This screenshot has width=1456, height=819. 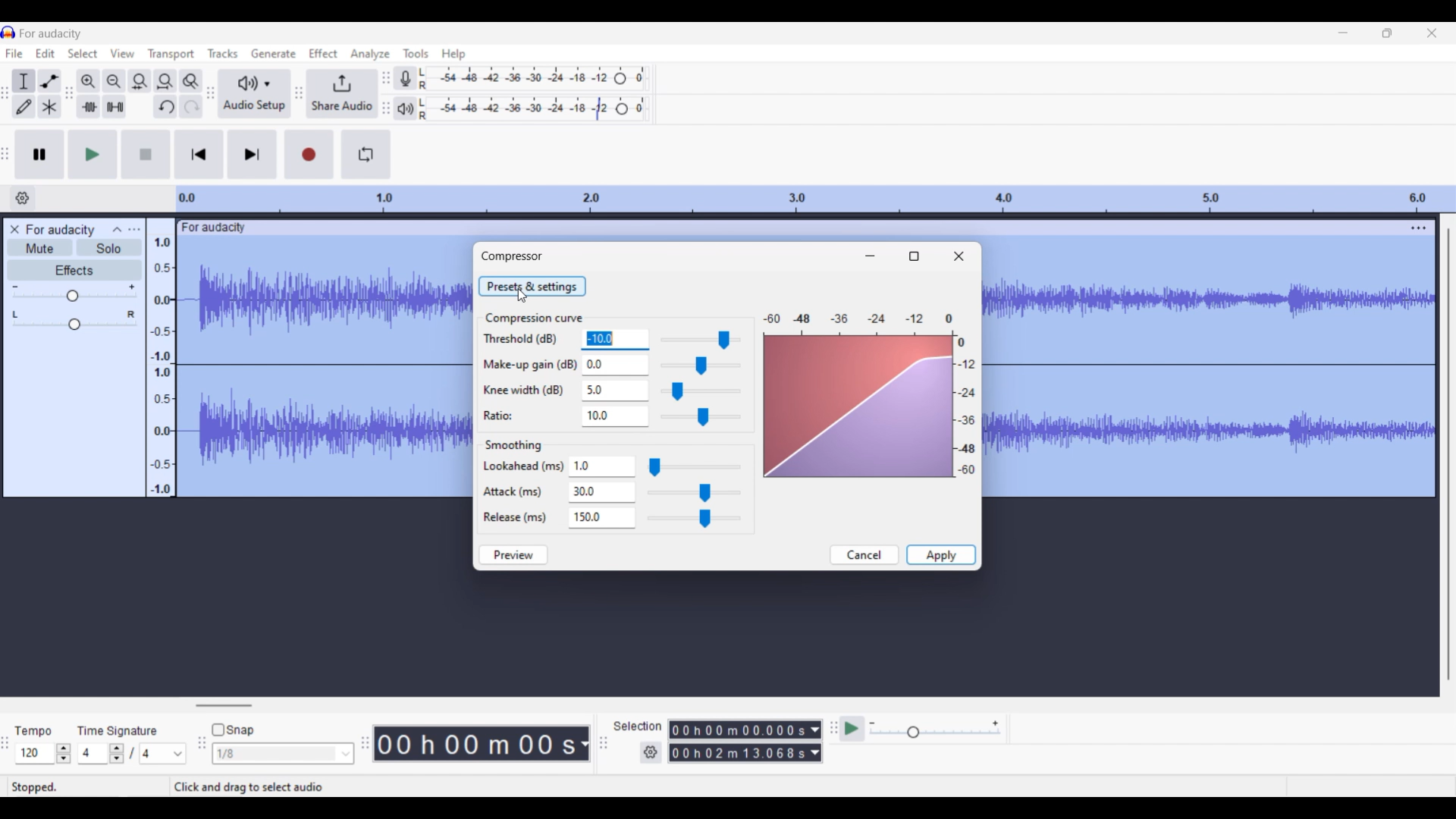 What do you see at coordinates (406, 78) in the screenshot?
I see `Record meter` at bounding box center [406, 78].